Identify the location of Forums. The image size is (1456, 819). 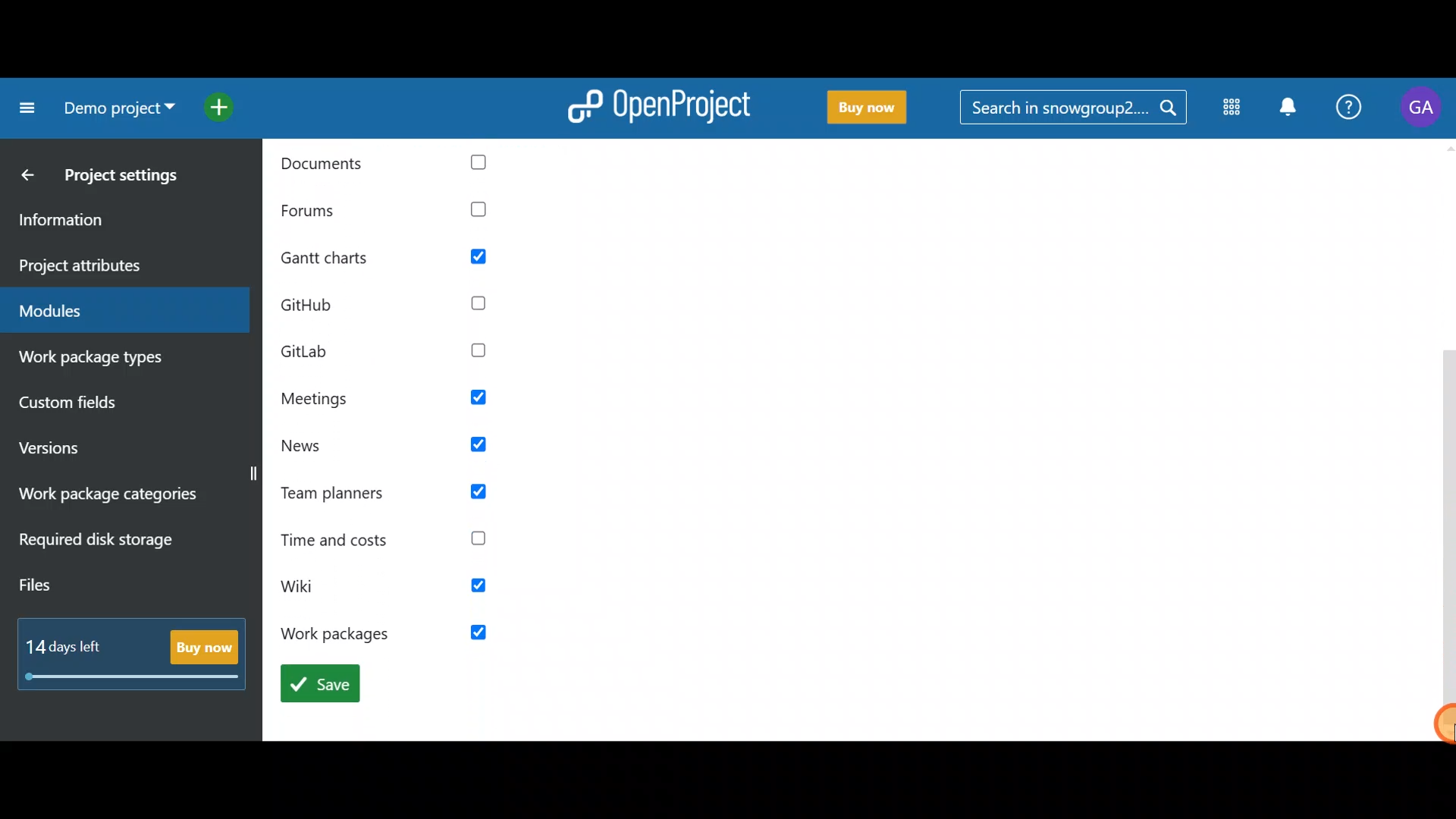
(393, 212).